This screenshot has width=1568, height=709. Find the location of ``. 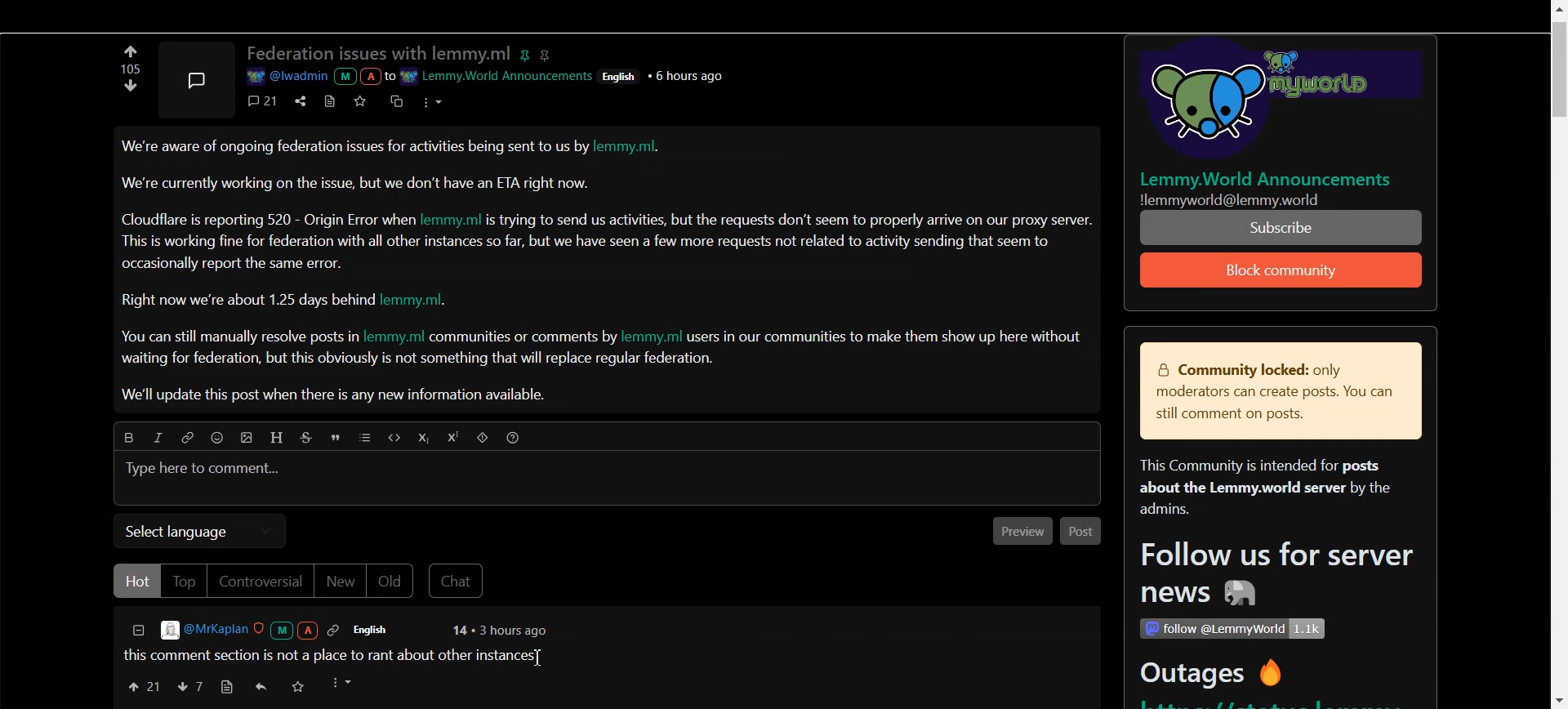

 is located at coordinates (690, 75).